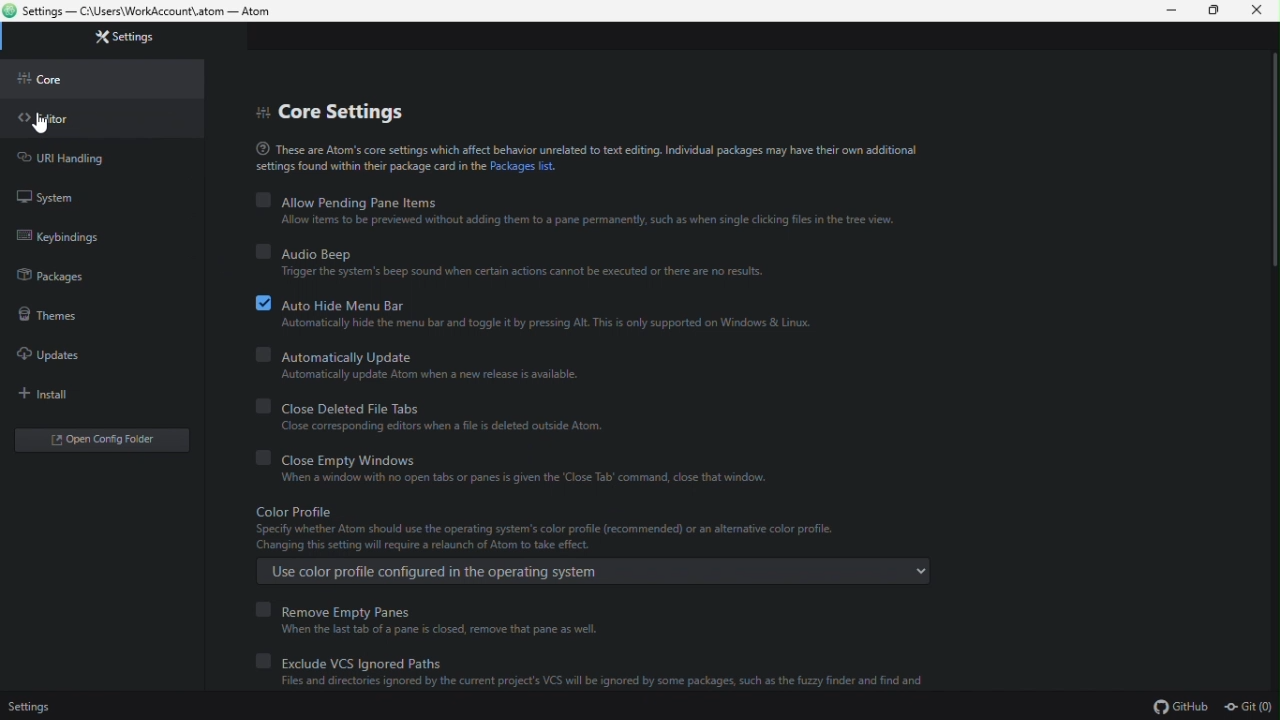 Image resolution: width=1280 pixels, height=720 pixels. Describe the element at coordinates (1250, 706) in the screenshot. I see `git` at that location.